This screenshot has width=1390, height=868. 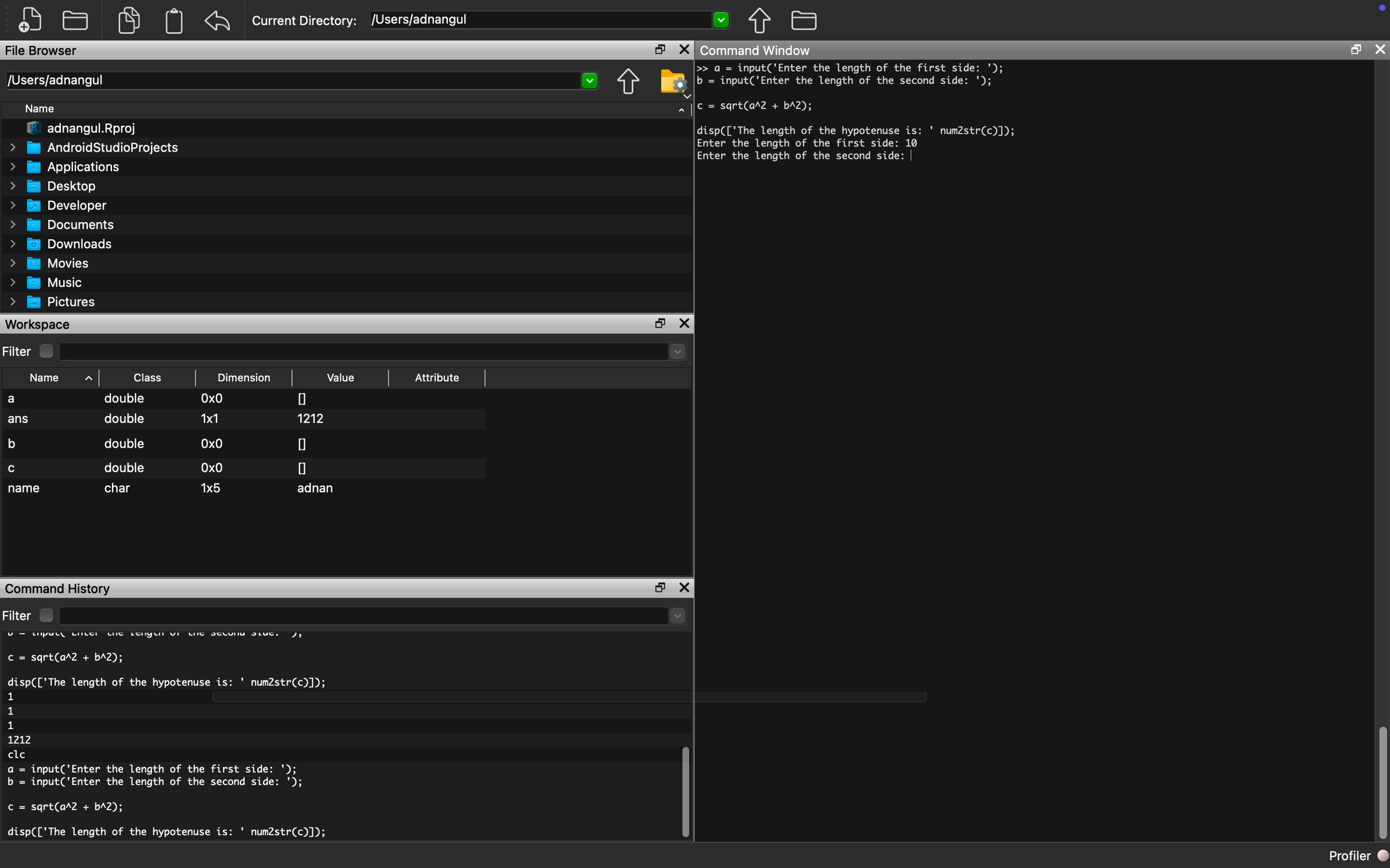 What do you see at coordinates (53, 283) in the screenshot?
I see `Music` at bounding box center [53, 283].